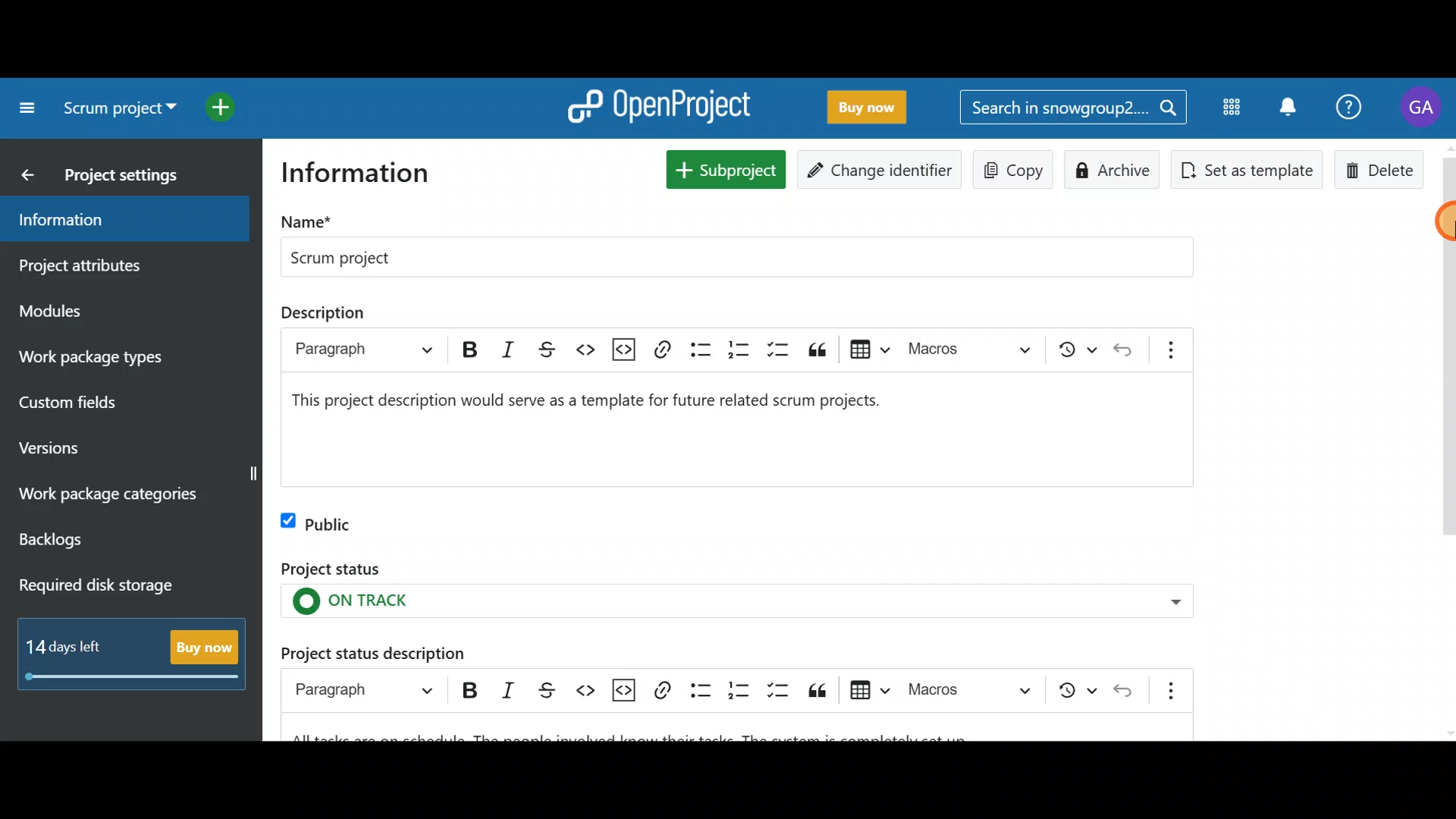  Describe the element at coordinates (127, 587) in the screenshot. I see `Required disk storage` at that location.